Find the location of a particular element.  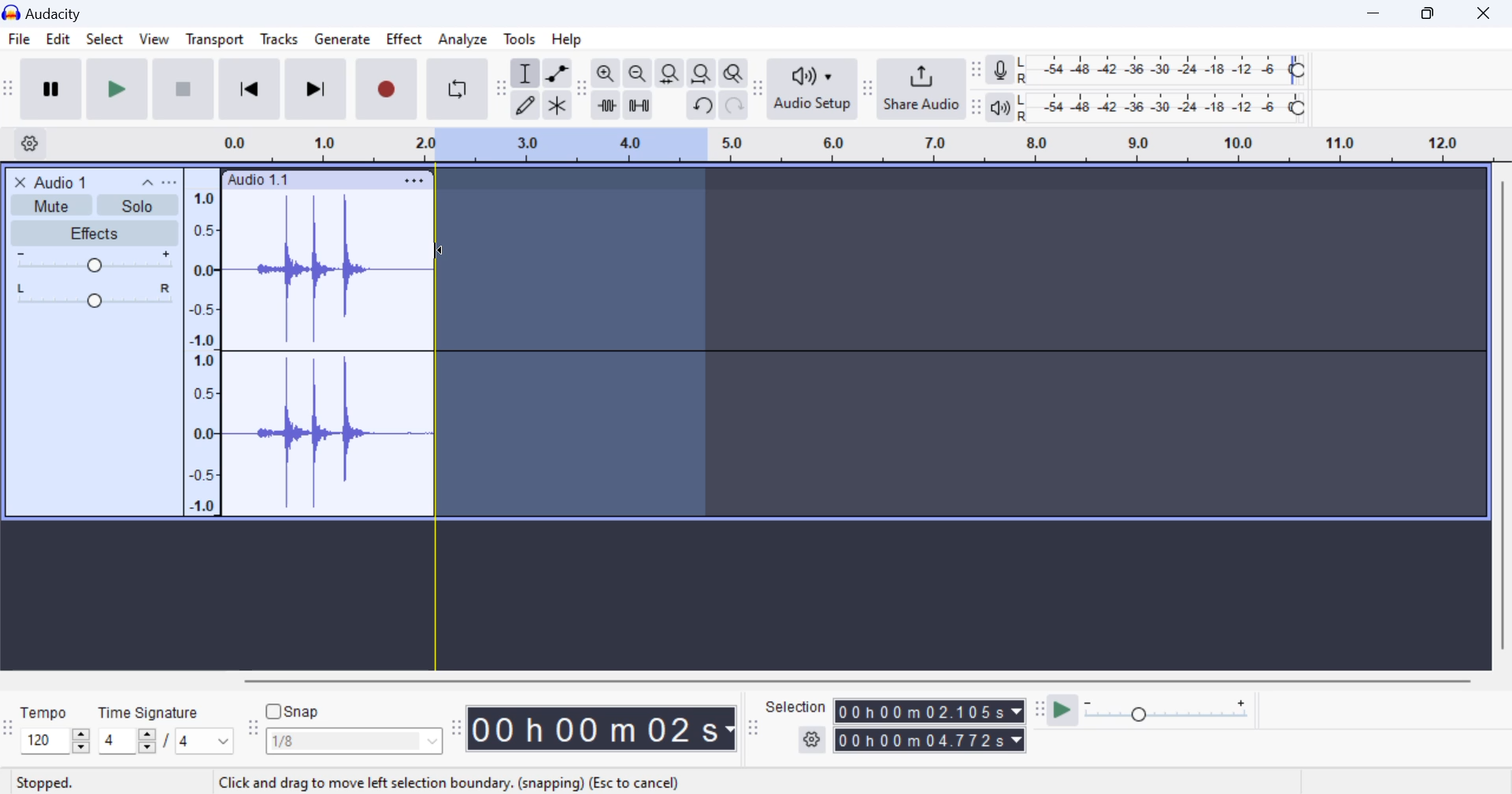

vertical scrollbar is located at coordinates (1501, 421).